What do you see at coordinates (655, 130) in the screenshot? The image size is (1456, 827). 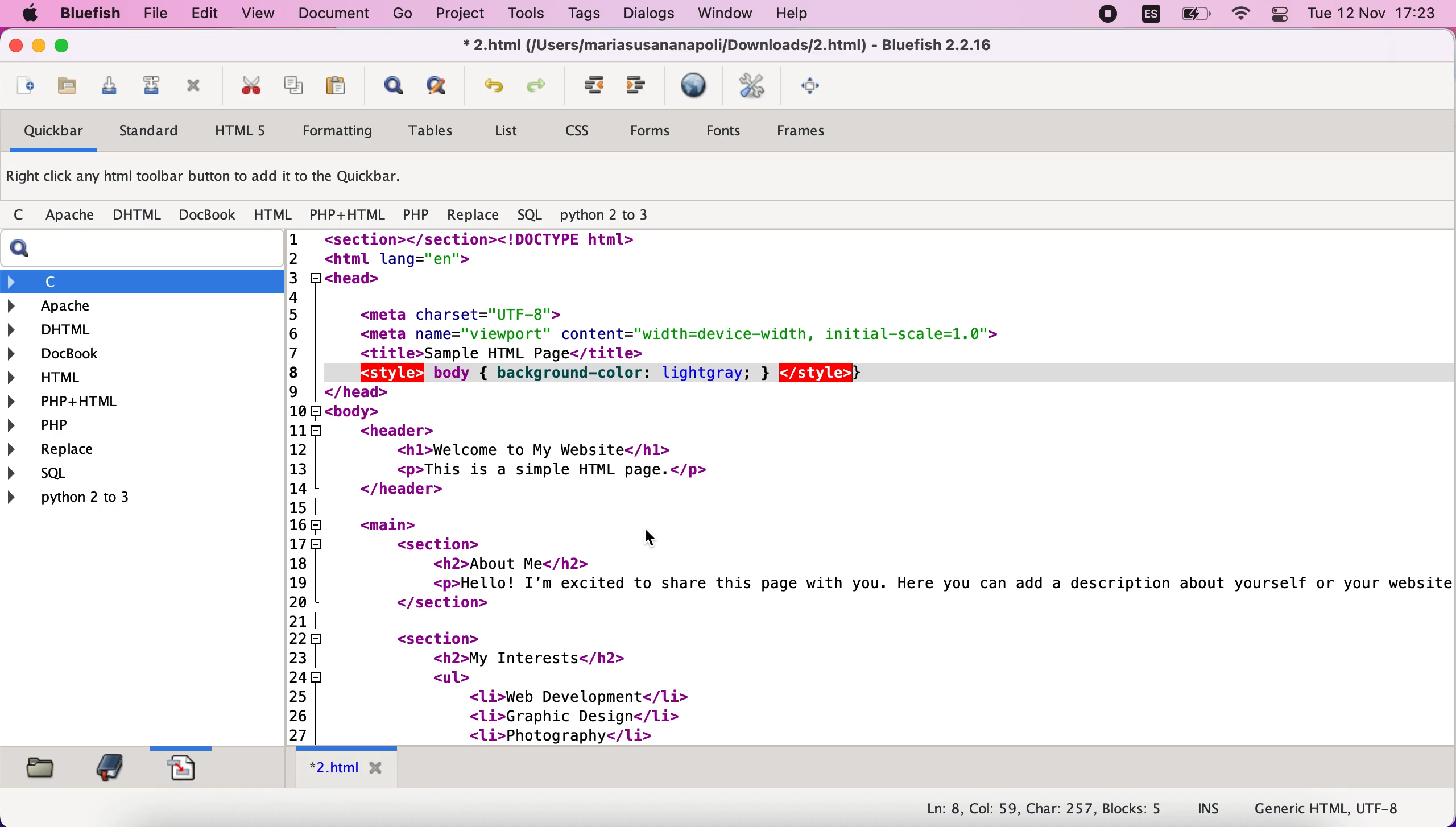 I see `forms` at bounding box center [655, 130].